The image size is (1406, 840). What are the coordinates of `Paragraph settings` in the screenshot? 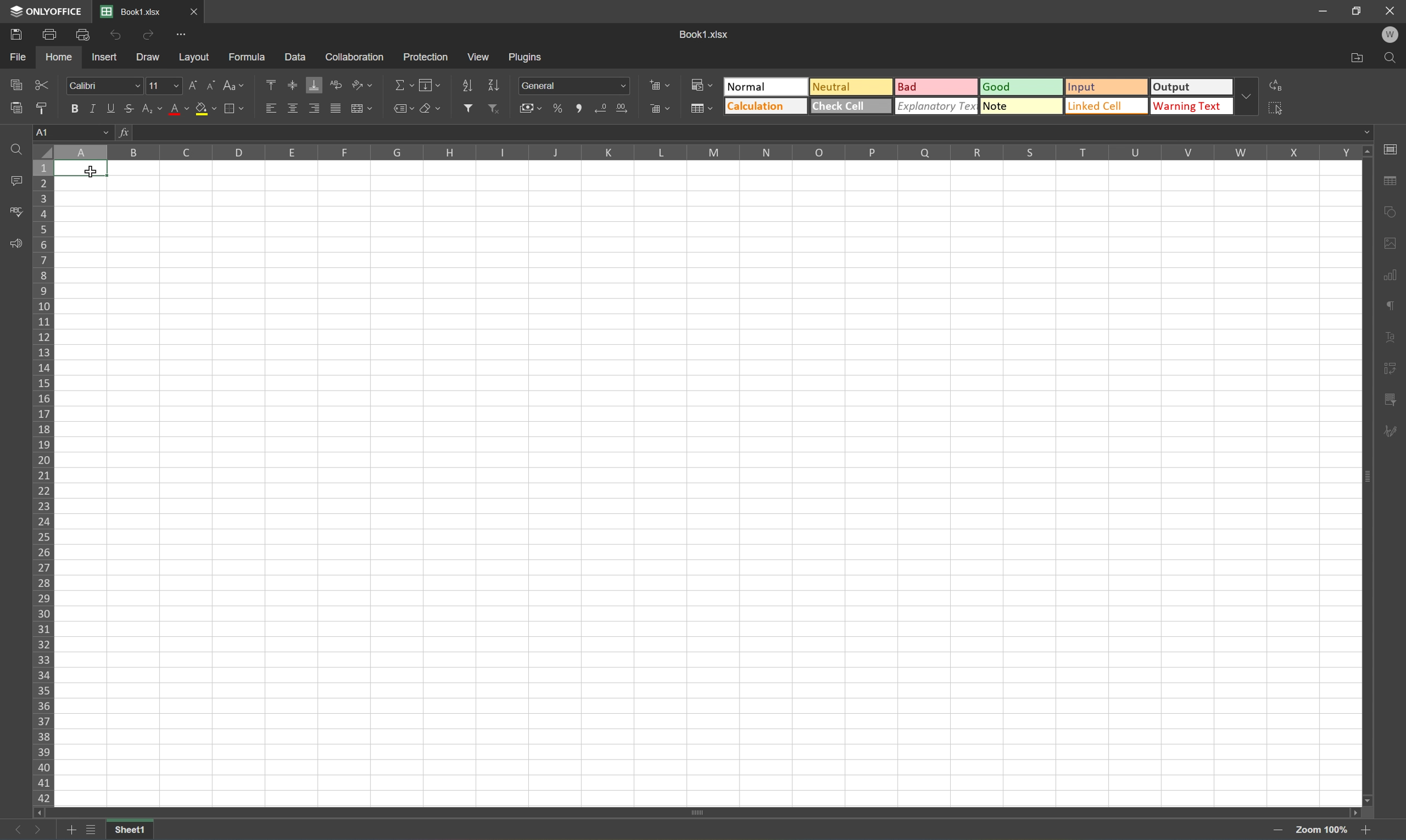 It's located at (1388, 306).